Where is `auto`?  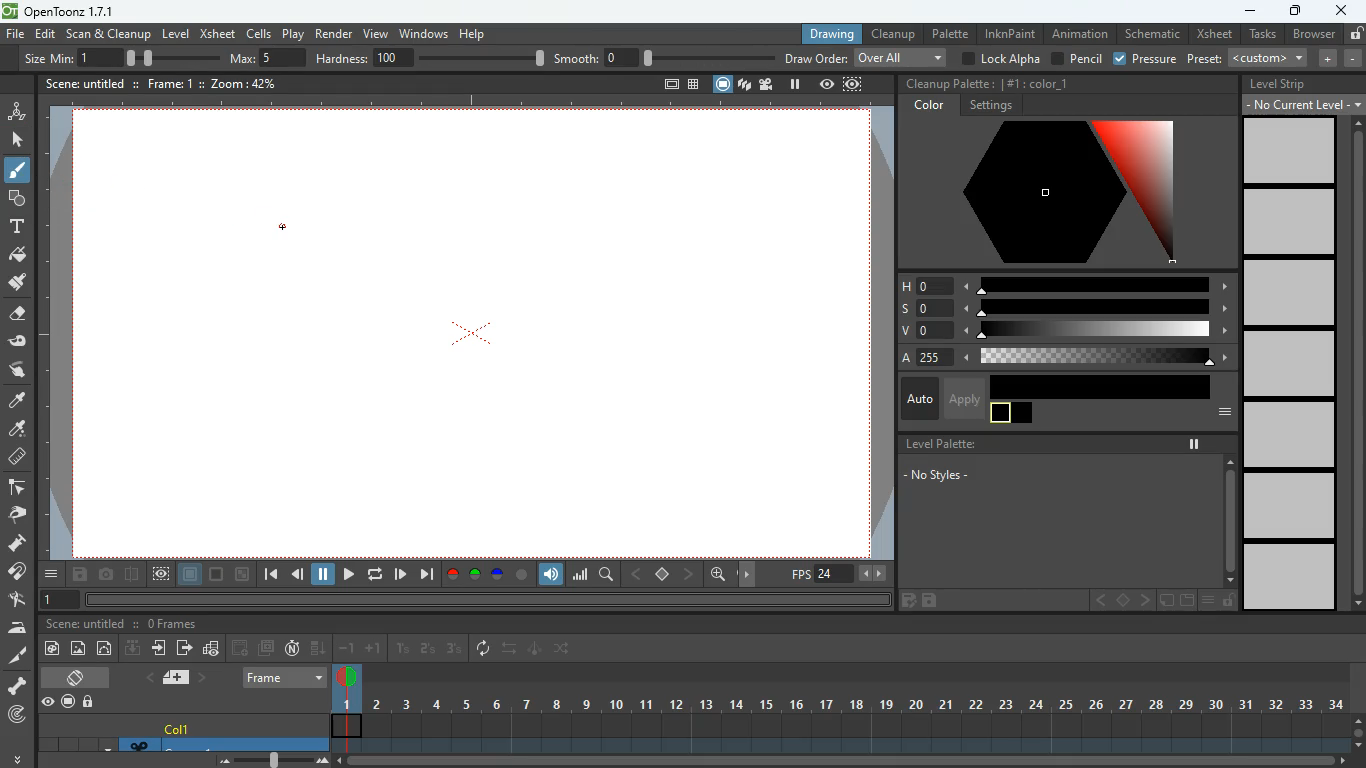 auto is located at coordinates (917, 400).